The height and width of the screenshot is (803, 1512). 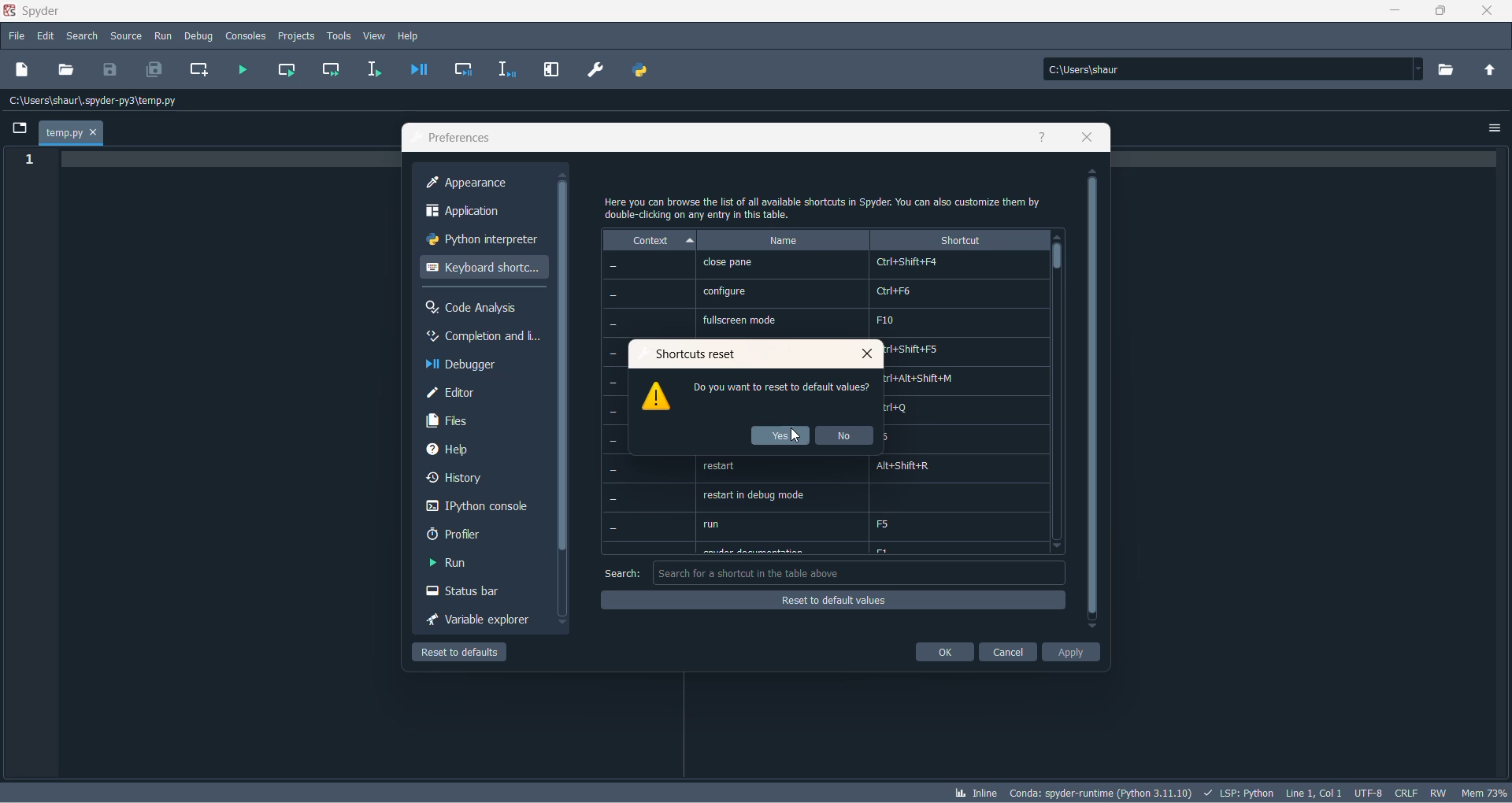 I want to click on close, so click(x=1090, y=136).